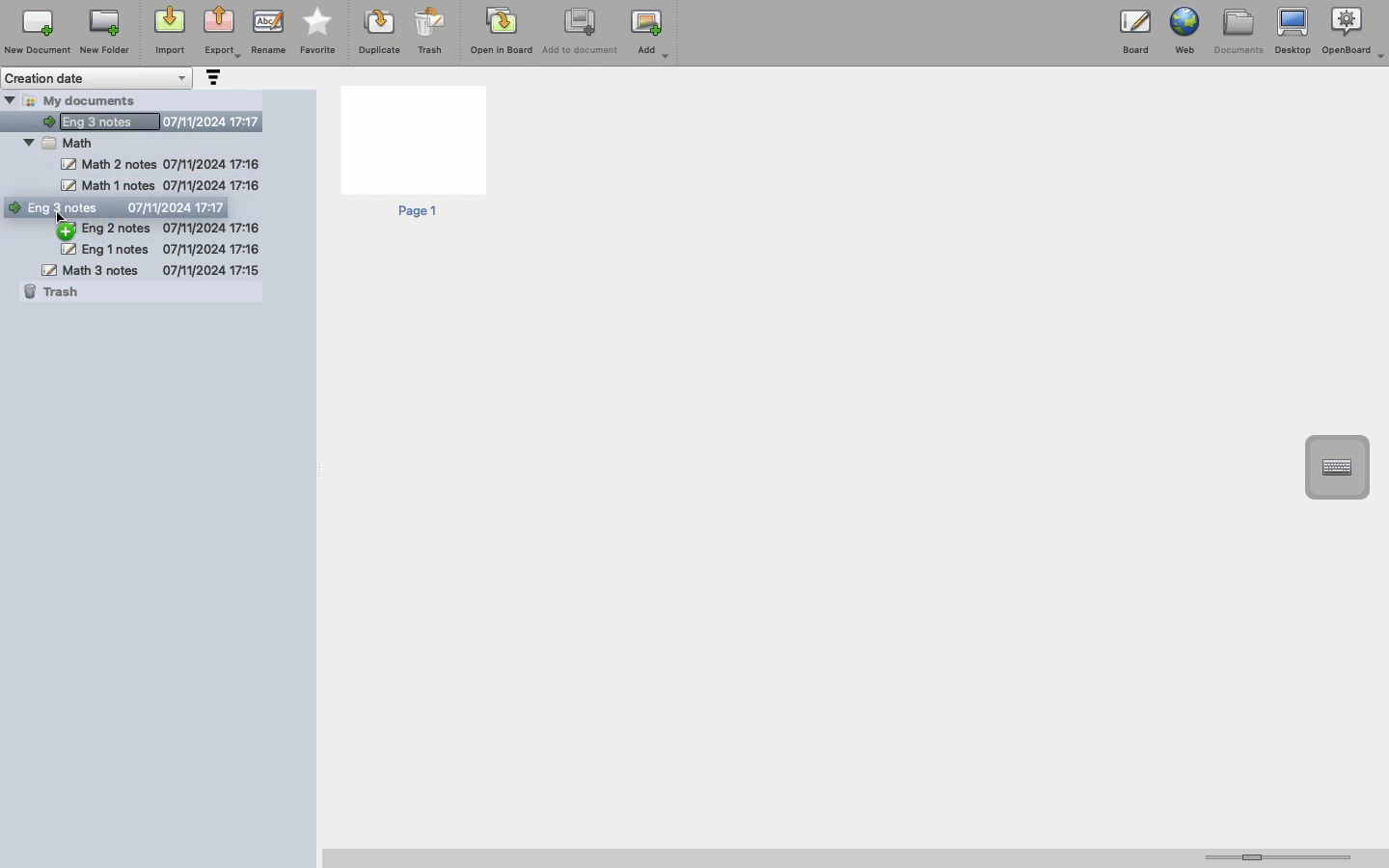 This screenshot has width=1389, height=868. Describe the element at coordinates (652, 34) in the screenshot. I see `Ad` at that location.